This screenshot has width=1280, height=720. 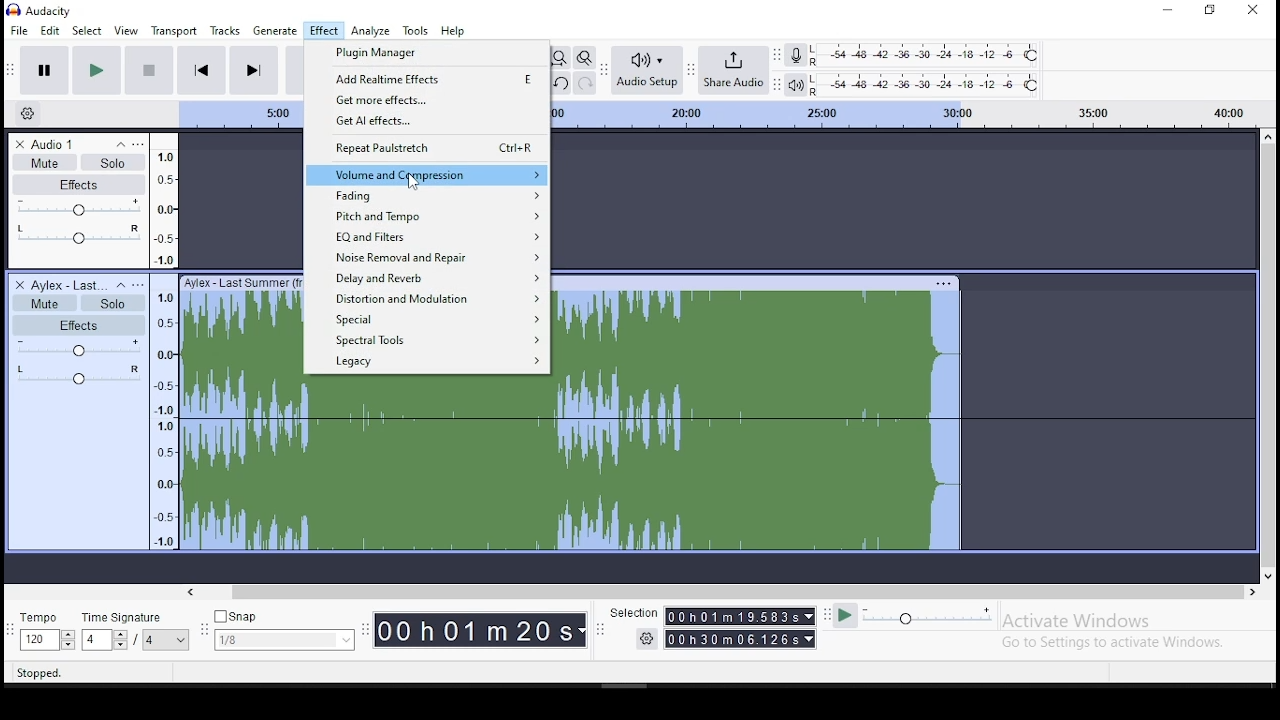 I want to click on view, so click(x=129, y=30).